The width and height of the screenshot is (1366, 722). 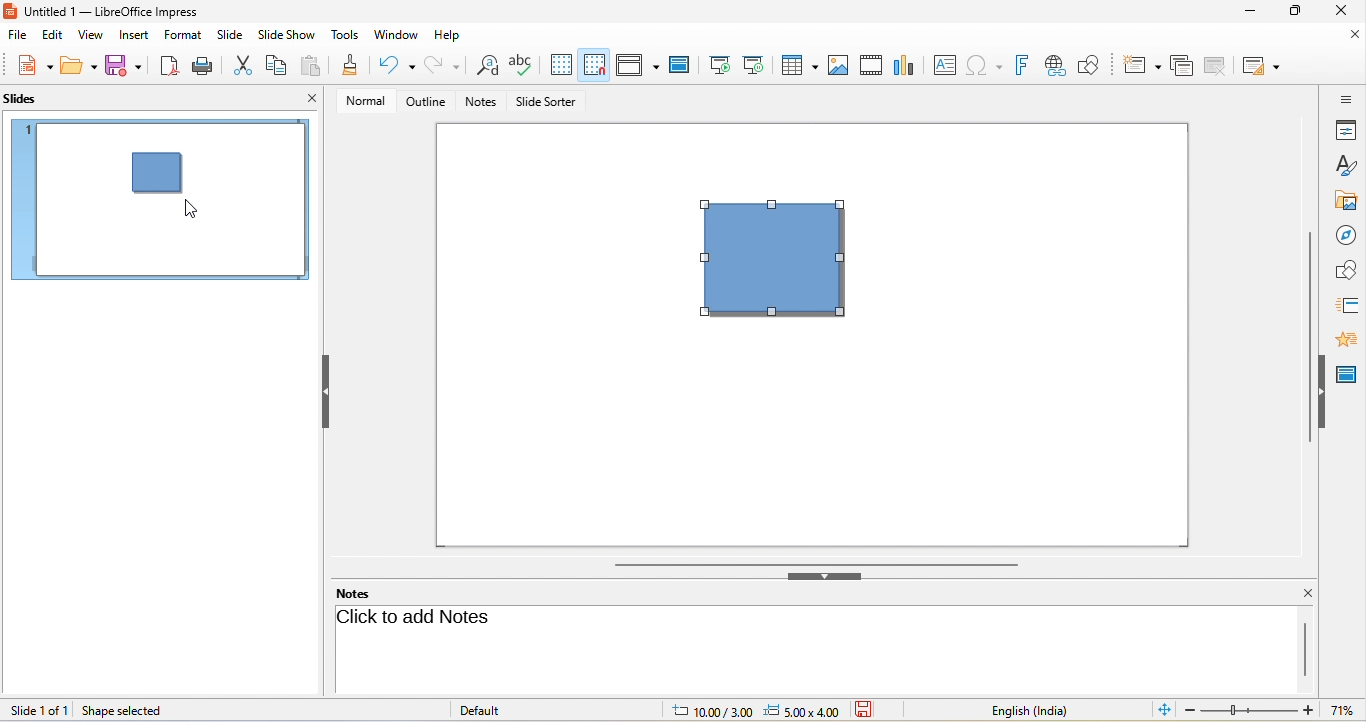 I want to click on 10.00/3.00, so click(x=706, y=712).